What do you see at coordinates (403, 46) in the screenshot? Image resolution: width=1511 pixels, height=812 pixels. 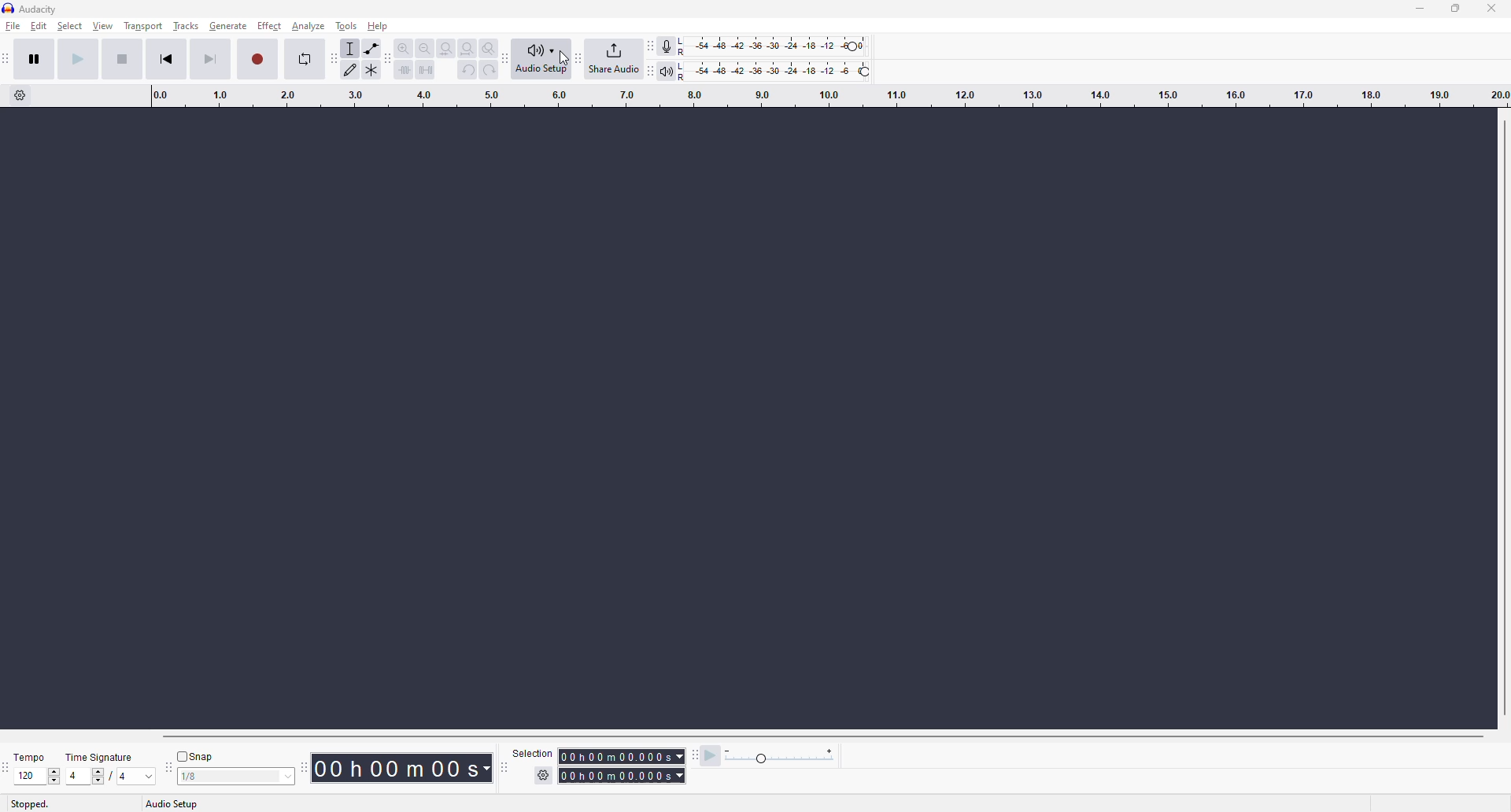 I see `zoom in` at bounding box center [403, 46].